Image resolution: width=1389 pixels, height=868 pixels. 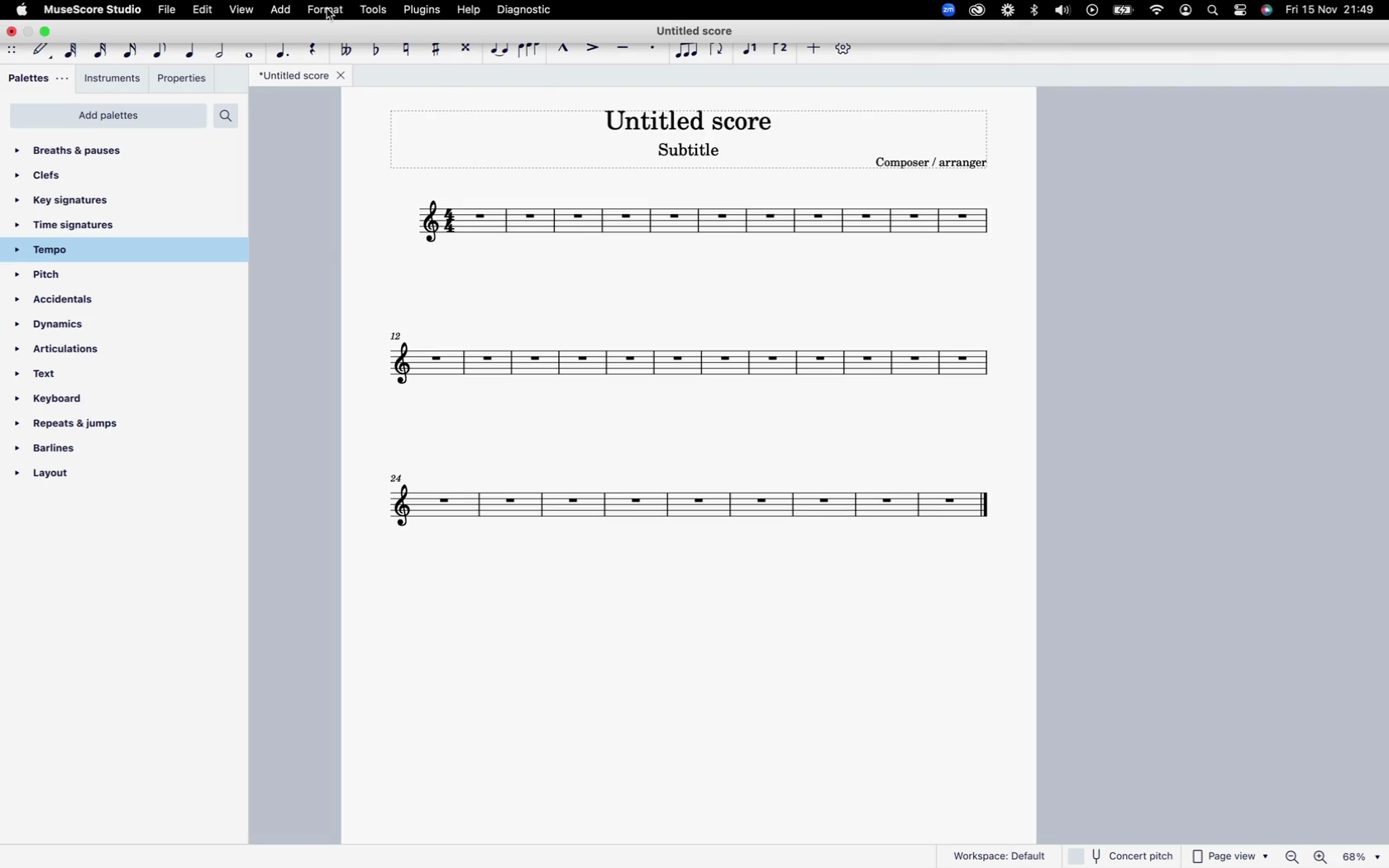 What do you see at coordinates (379, 50) in the screenshot?
I see `toggle flat` at bounding box center [379, 50].